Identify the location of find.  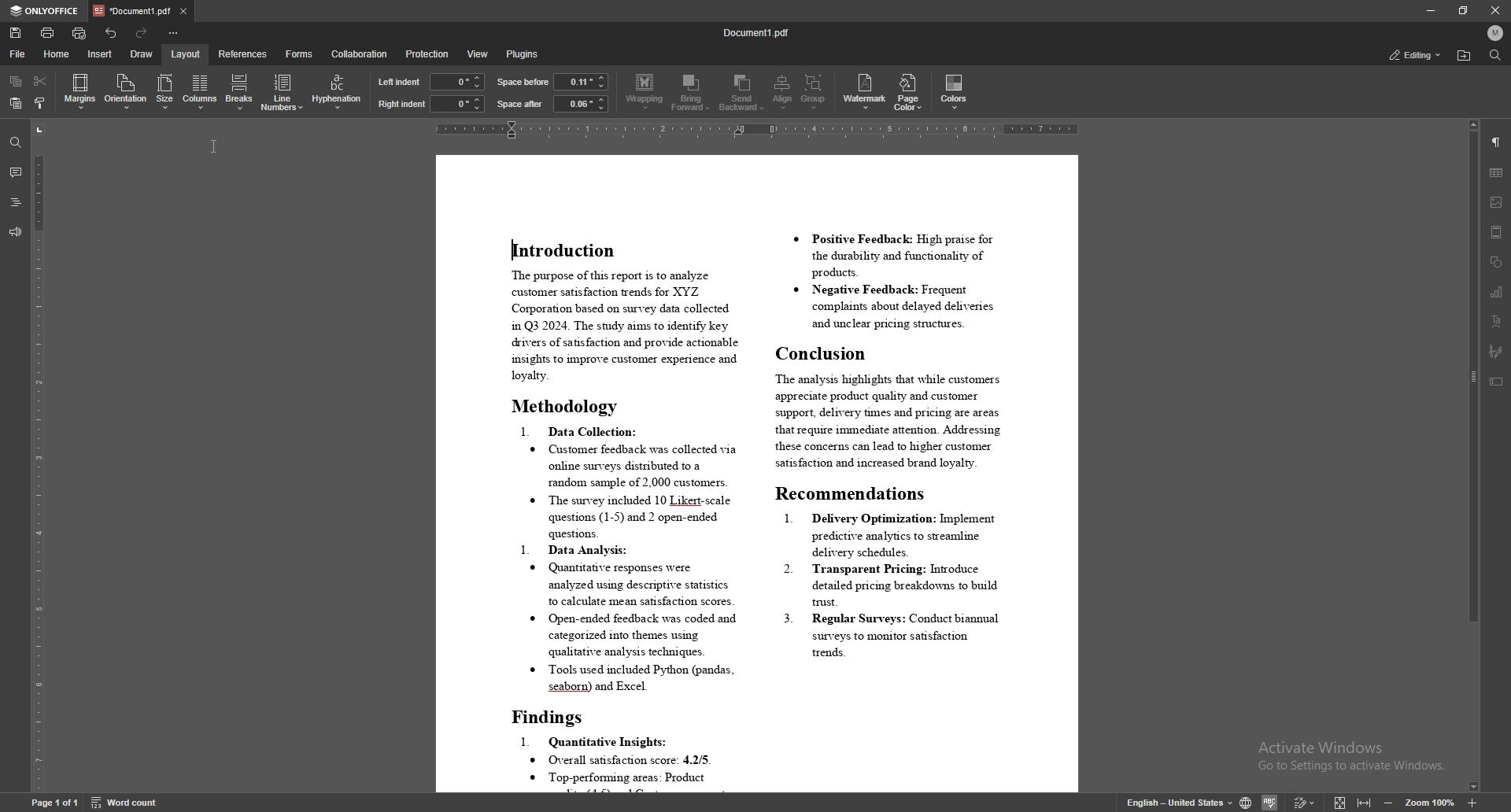
(16, 142).